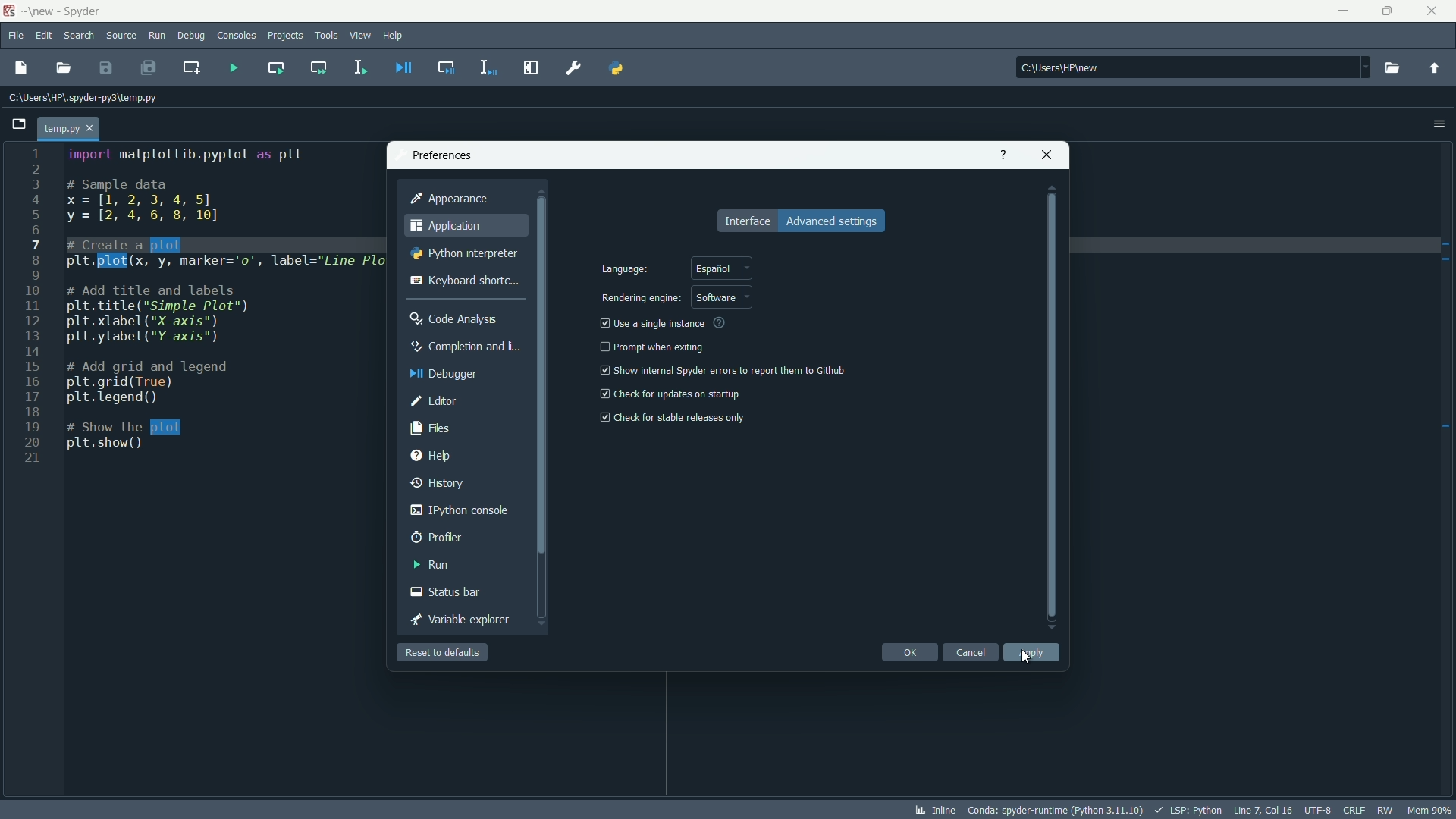  What do you see at coordinates (601, 347) in the screenshot?
I see `check box` at bounding box center [601, 347].